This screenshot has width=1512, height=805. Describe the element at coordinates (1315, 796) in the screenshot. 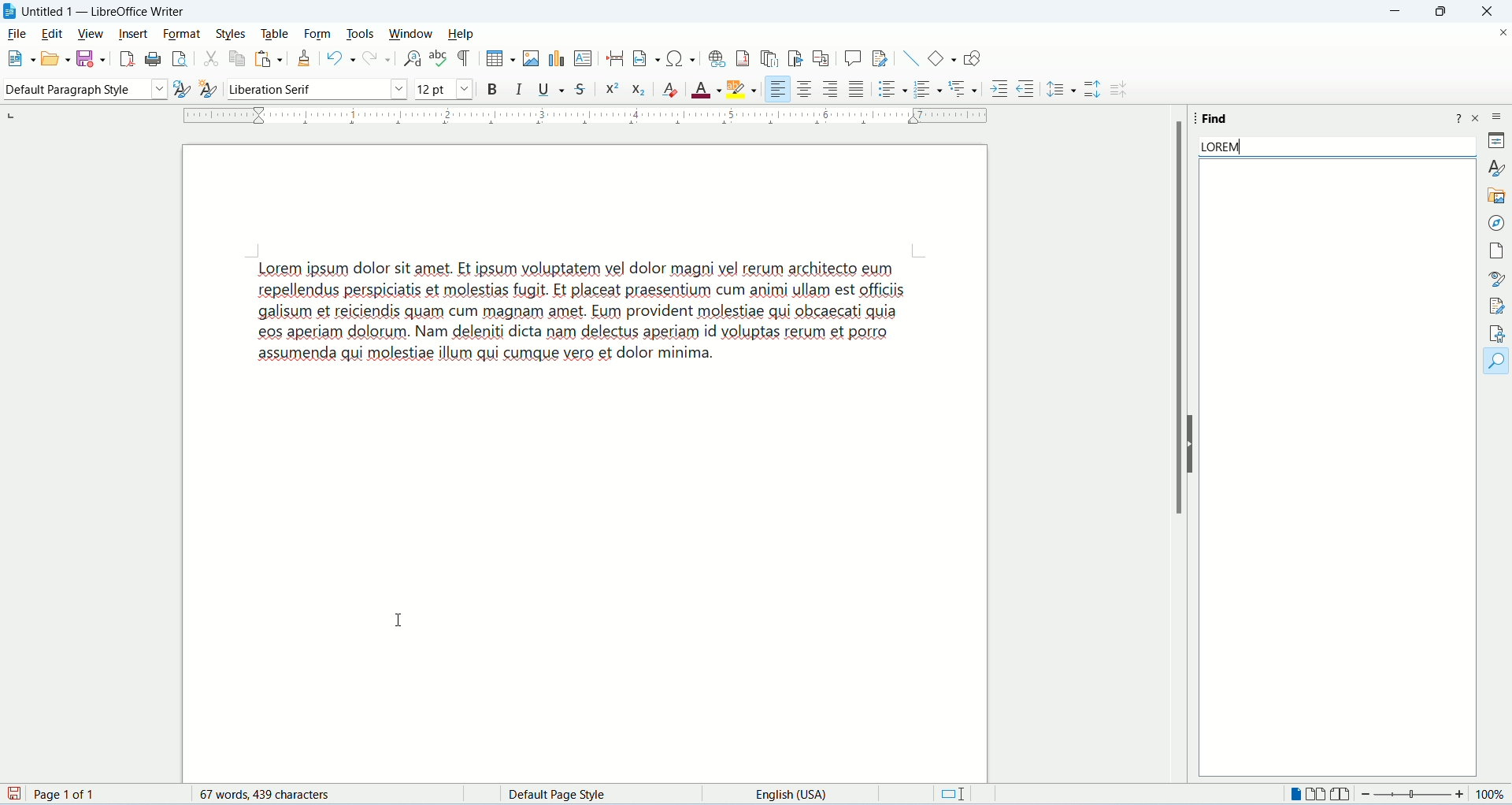

I see `multiple page view` at that location.